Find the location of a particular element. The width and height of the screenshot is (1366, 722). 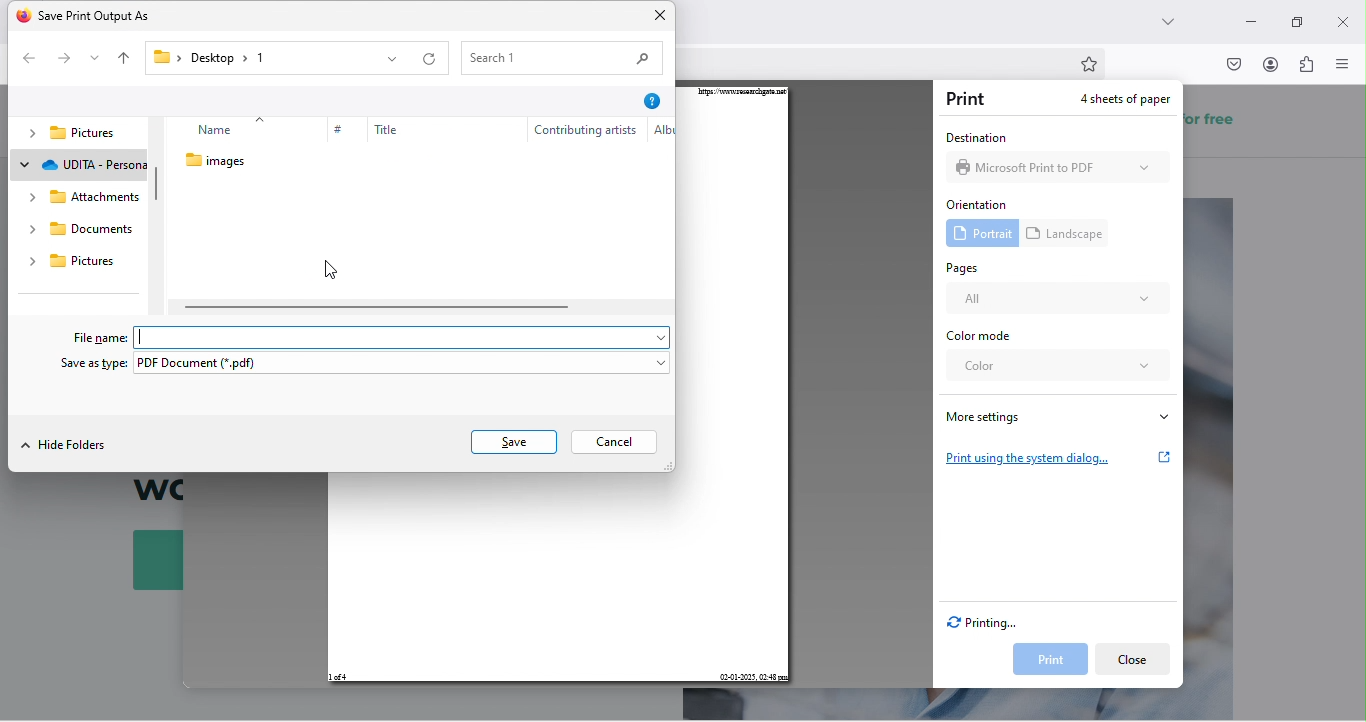

menu is located at coordinates (1349, 62).